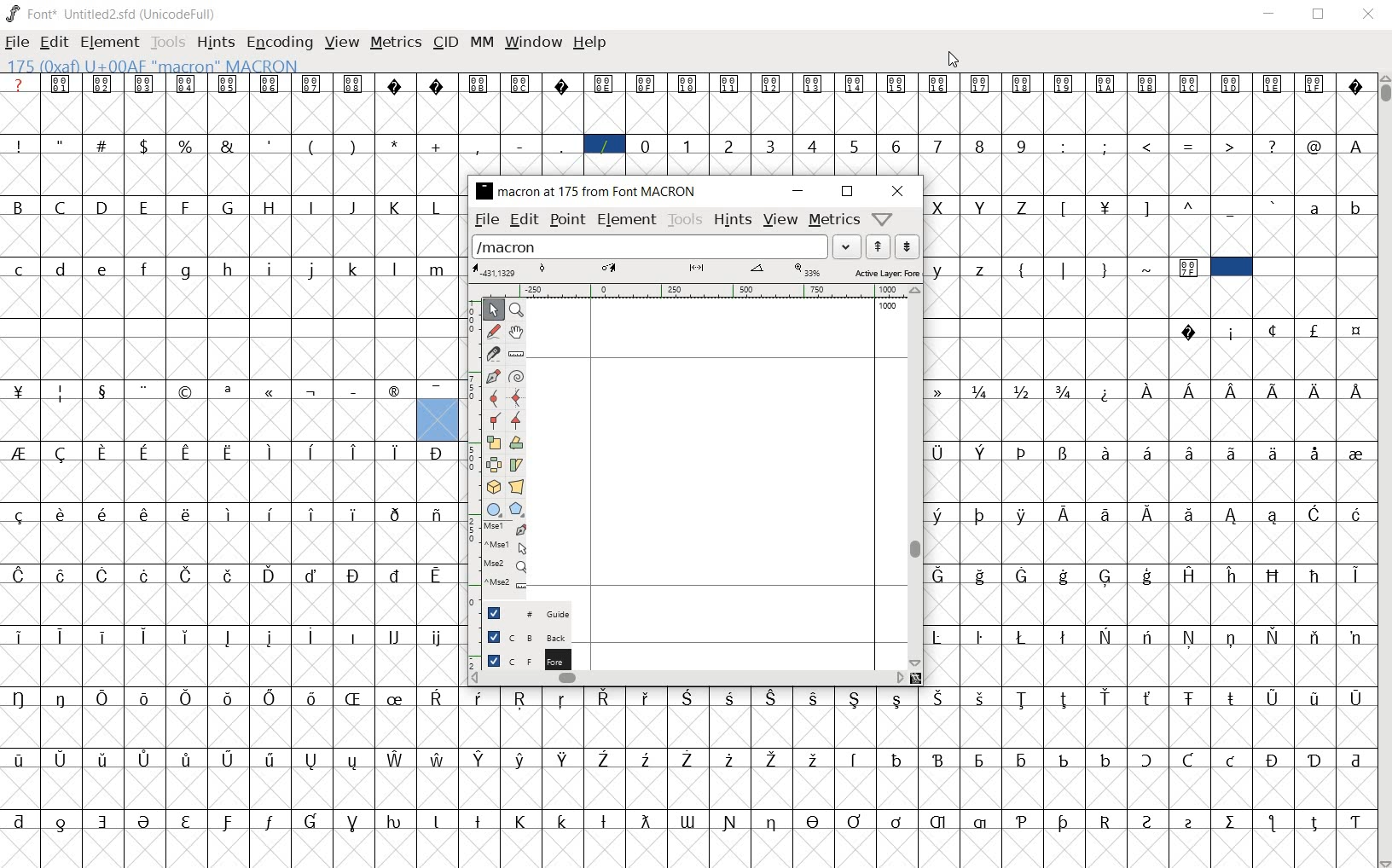 The image size is (1392, 868). What do you see at coordinates (20, 267) in the screenshot?
I see `c` at bounding box center [20, 267].